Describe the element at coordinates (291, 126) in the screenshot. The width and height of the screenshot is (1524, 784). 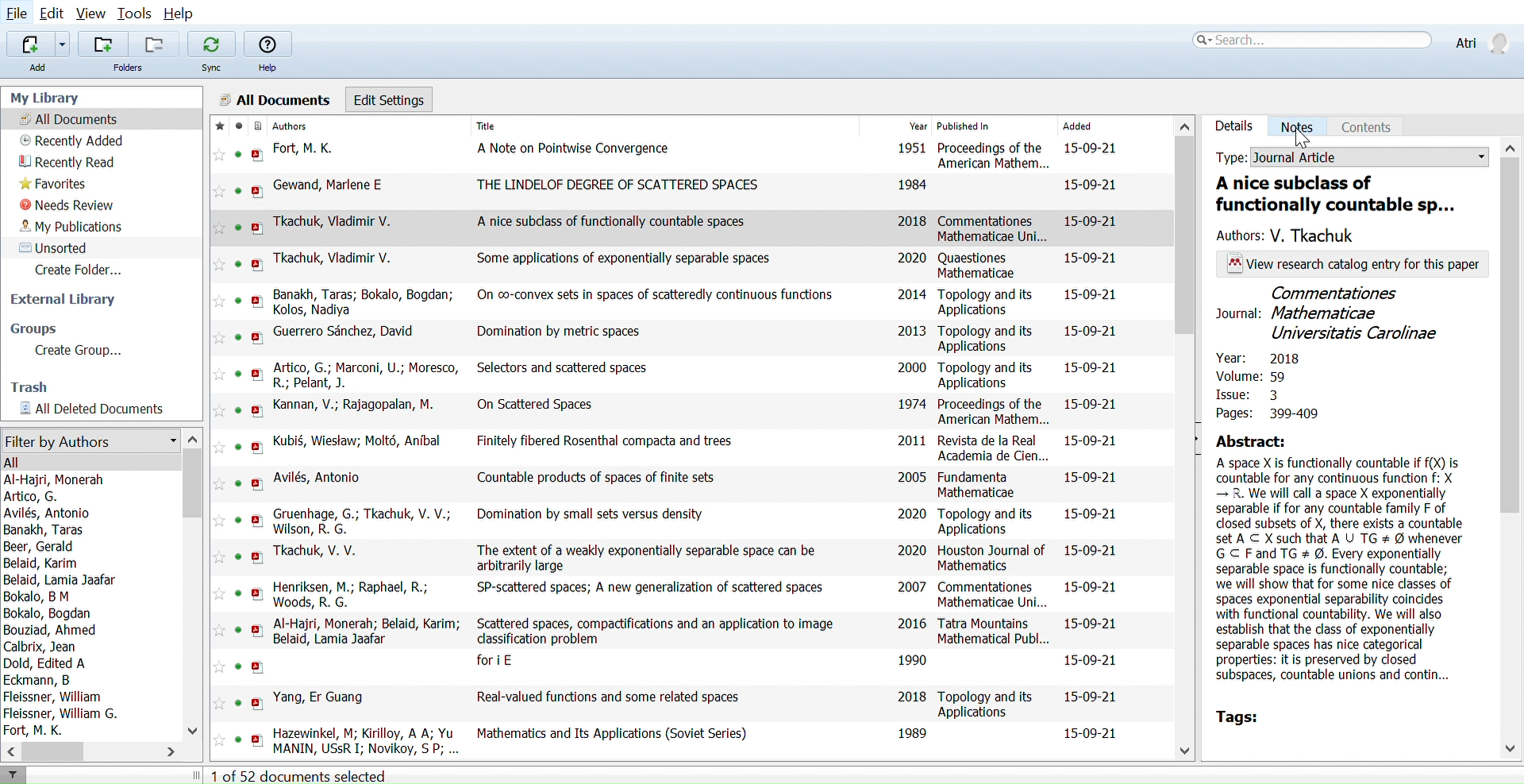
I see `Authors` at that location.